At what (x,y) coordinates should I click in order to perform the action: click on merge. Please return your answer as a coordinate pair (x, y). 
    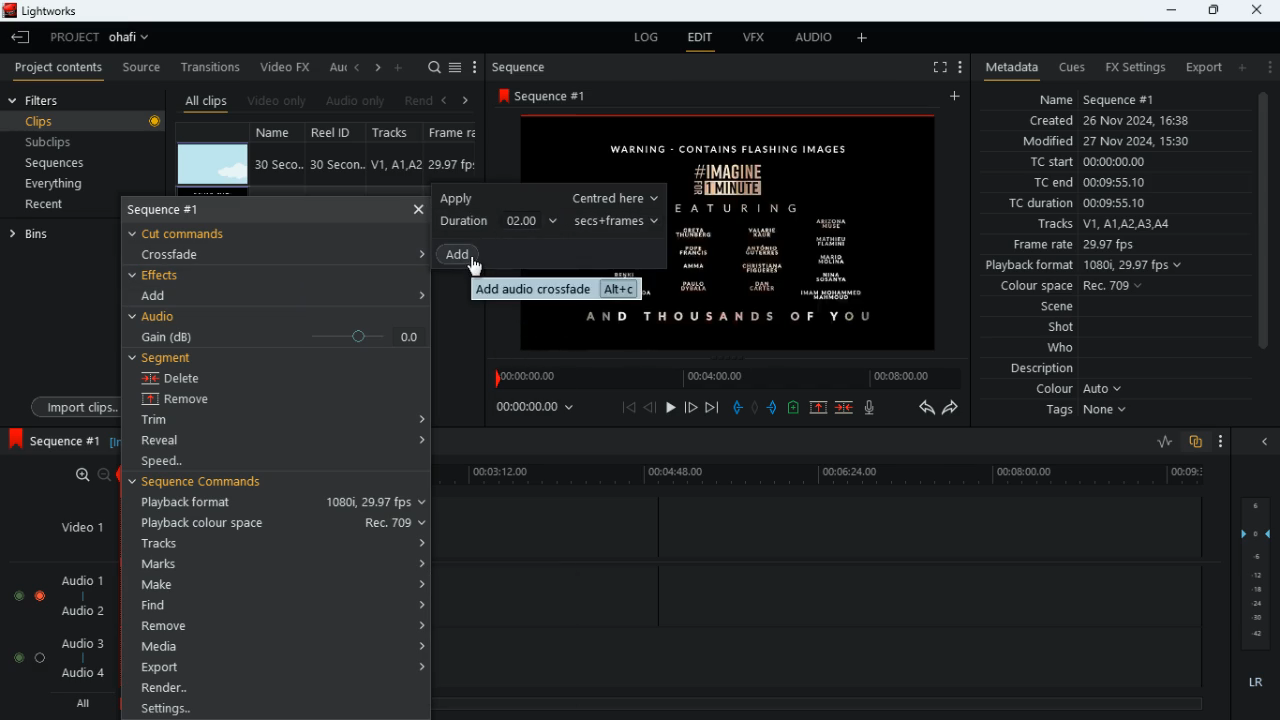
    Looking at the image, I should click on (846, 409).